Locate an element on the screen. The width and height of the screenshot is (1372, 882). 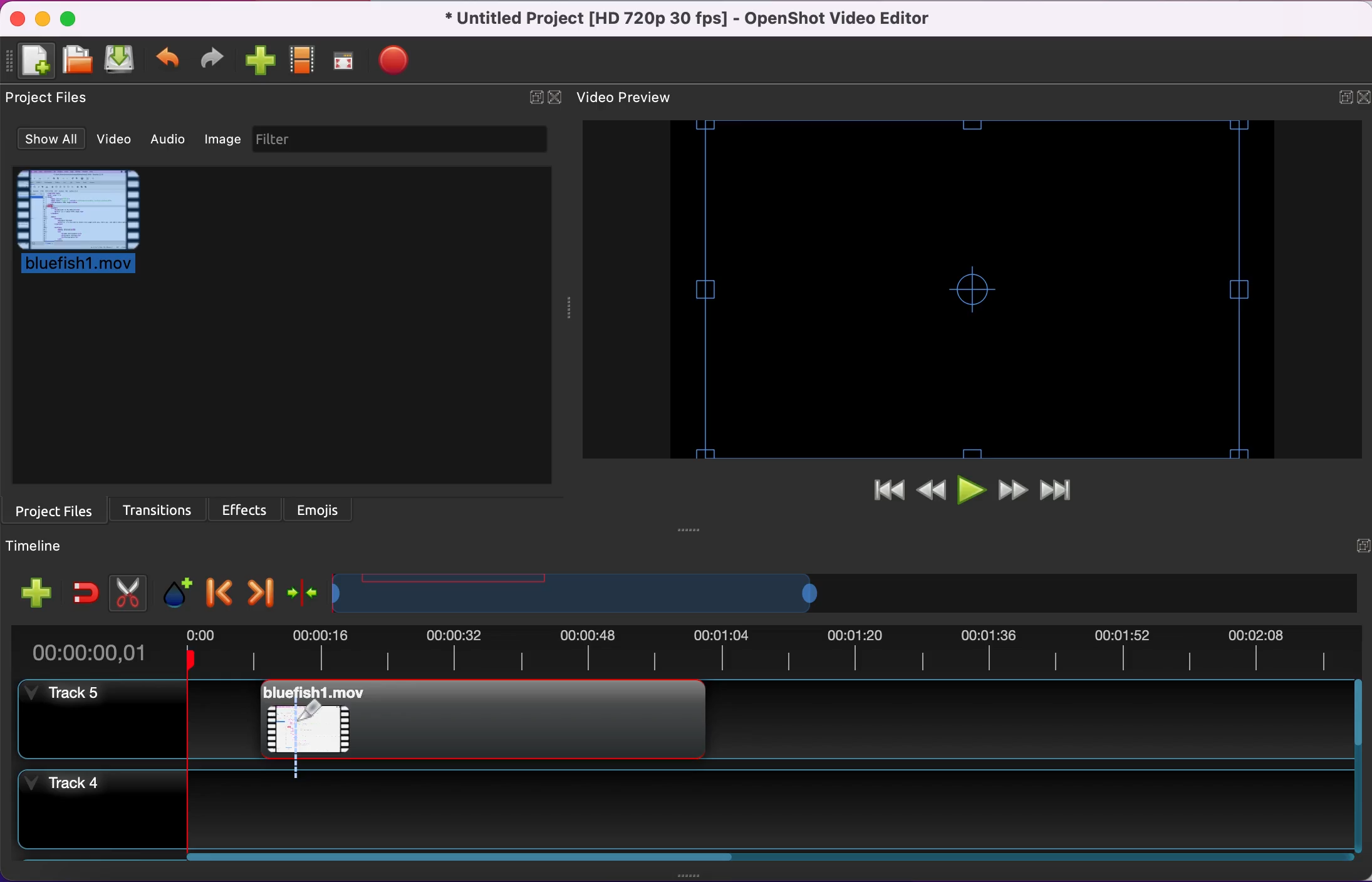
video preview is located at coordinates (967, 291).